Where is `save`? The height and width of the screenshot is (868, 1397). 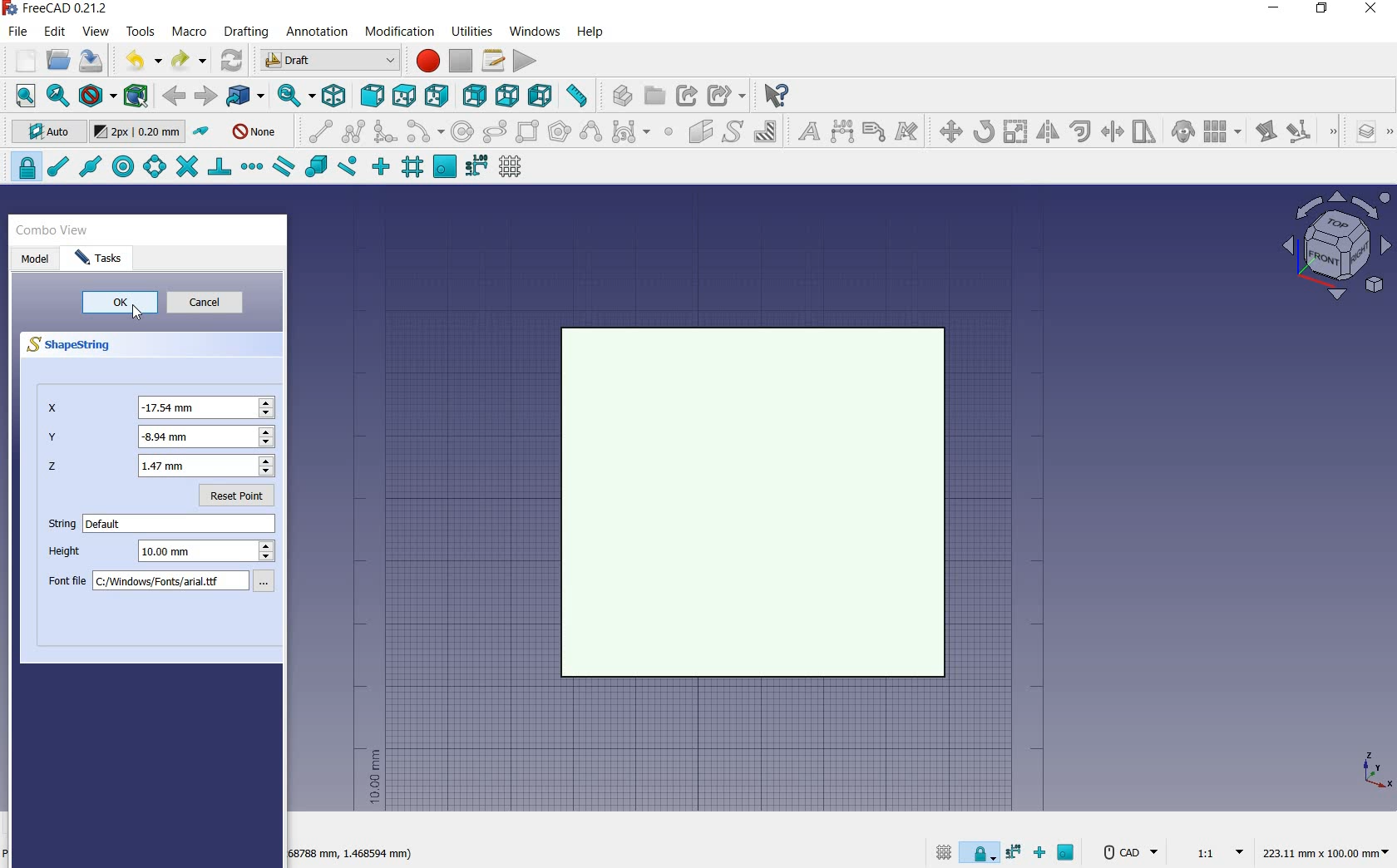 save is located at coordinates (91, 61).